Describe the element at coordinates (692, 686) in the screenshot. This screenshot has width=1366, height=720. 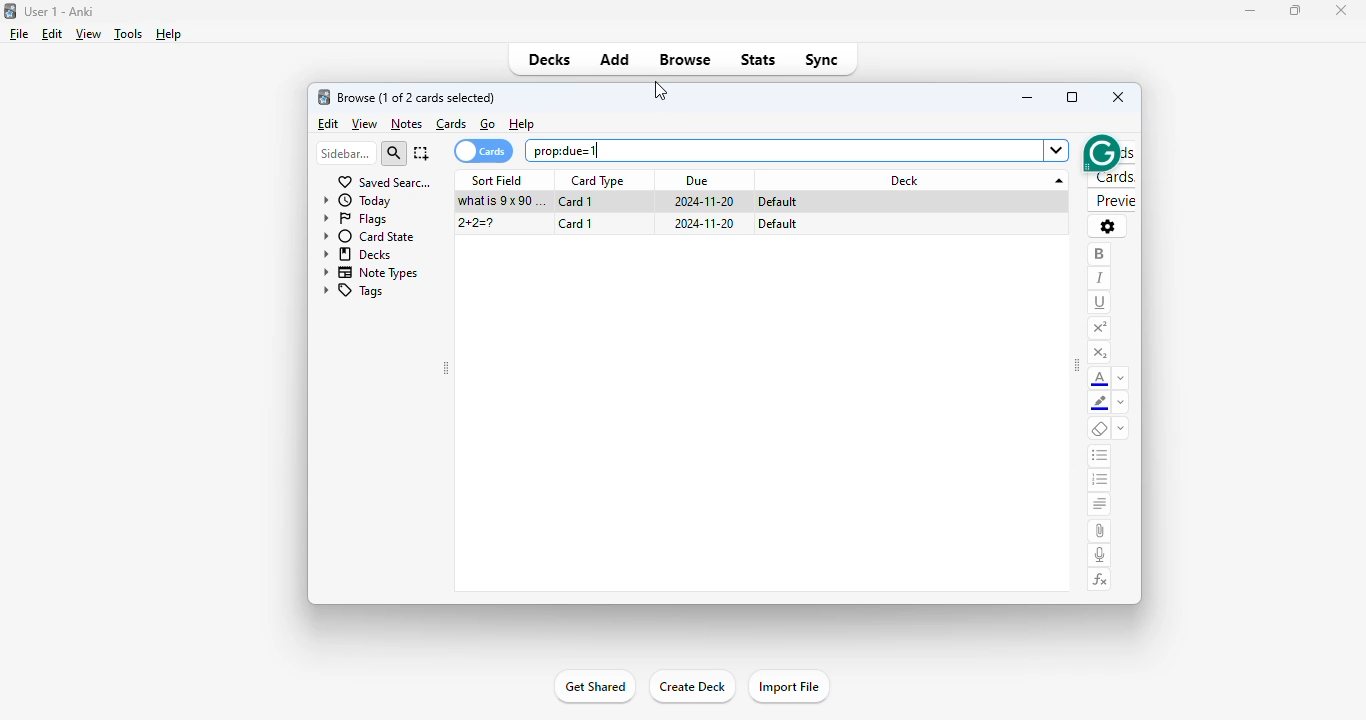
I see `create deck` at that location.